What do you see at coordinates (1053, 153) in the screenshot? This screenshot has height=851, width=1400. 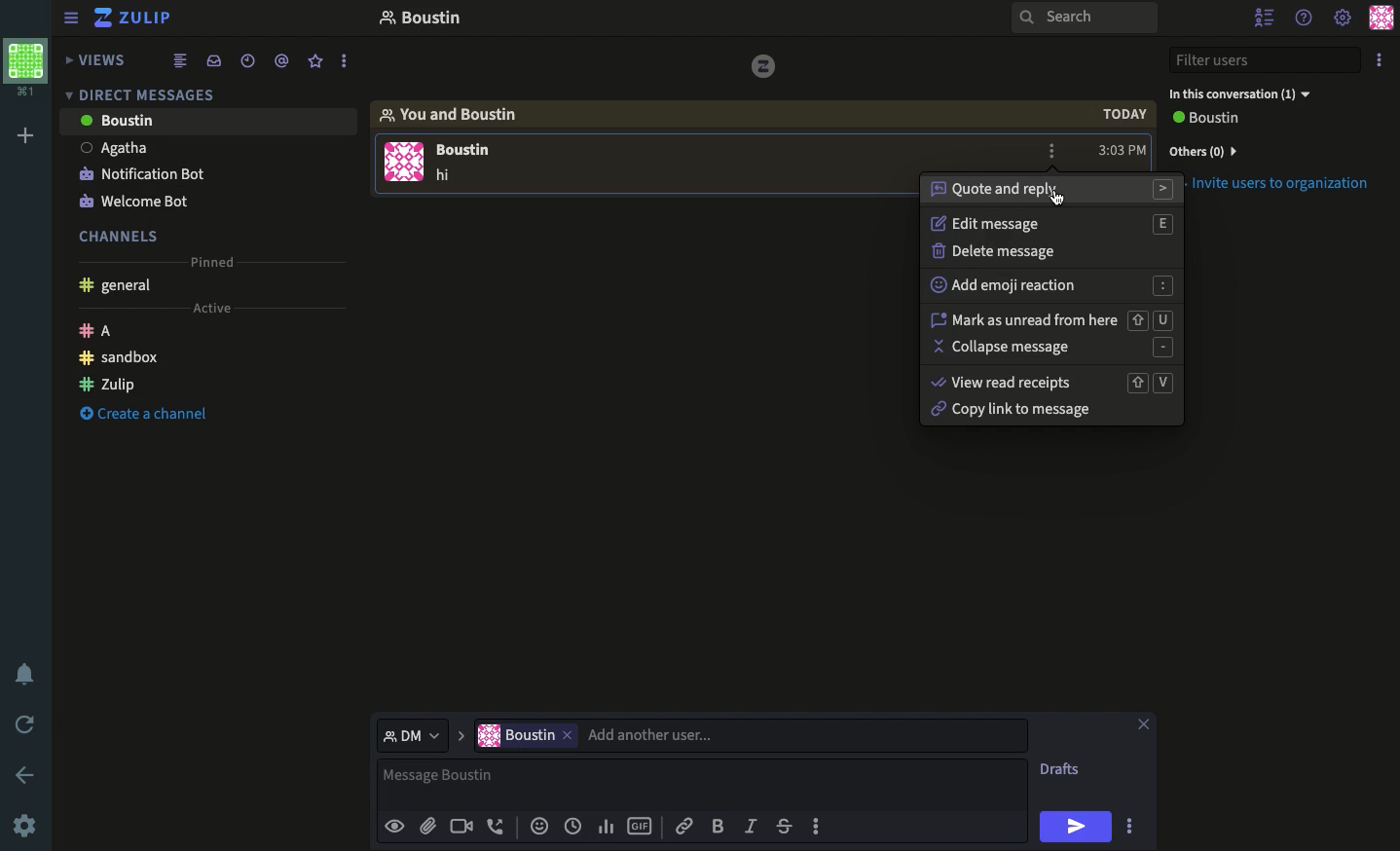 I see `Options` at bounding box center [1053, 153].